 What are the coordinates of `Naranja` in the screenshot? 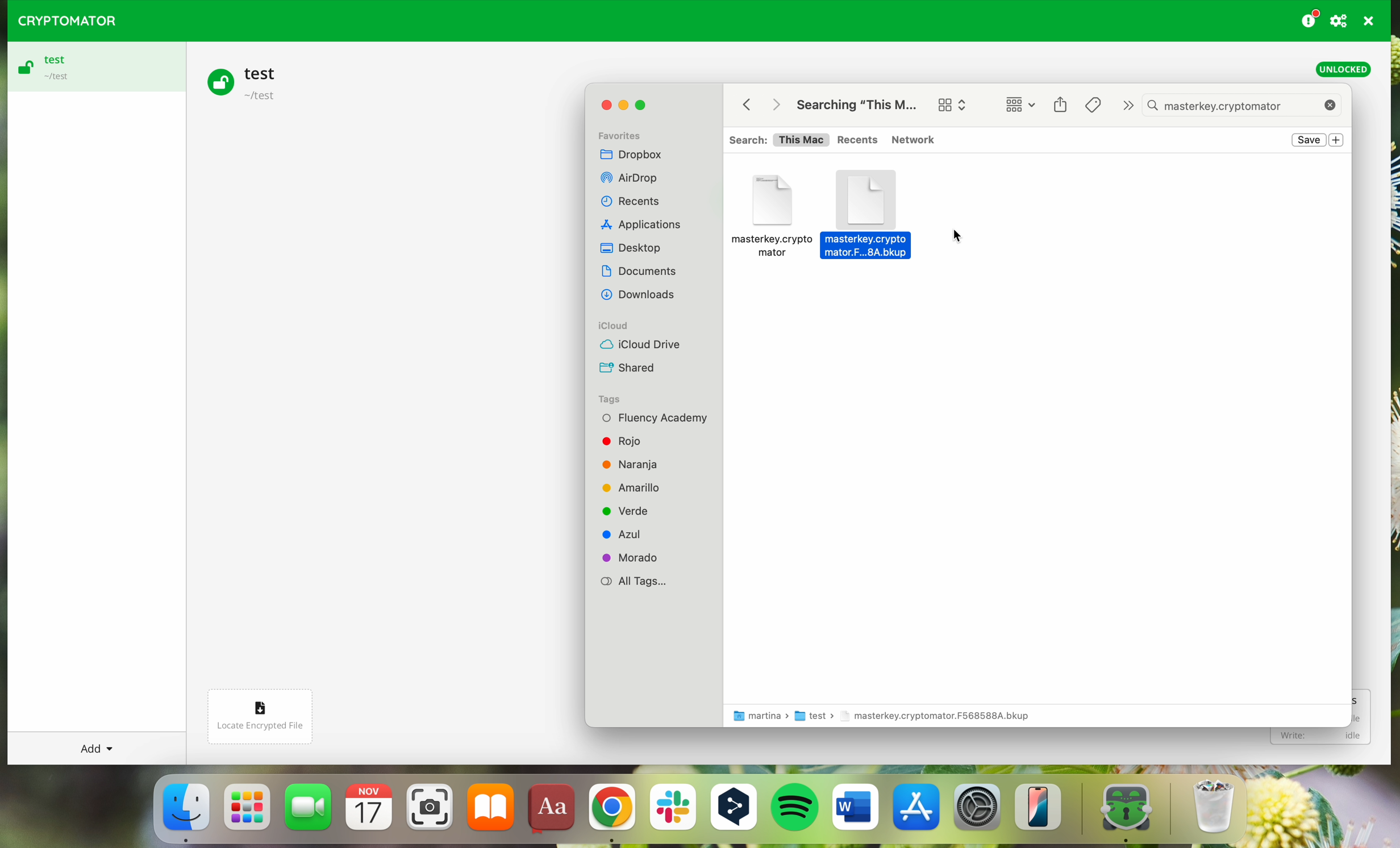 It's located at (641, 463).